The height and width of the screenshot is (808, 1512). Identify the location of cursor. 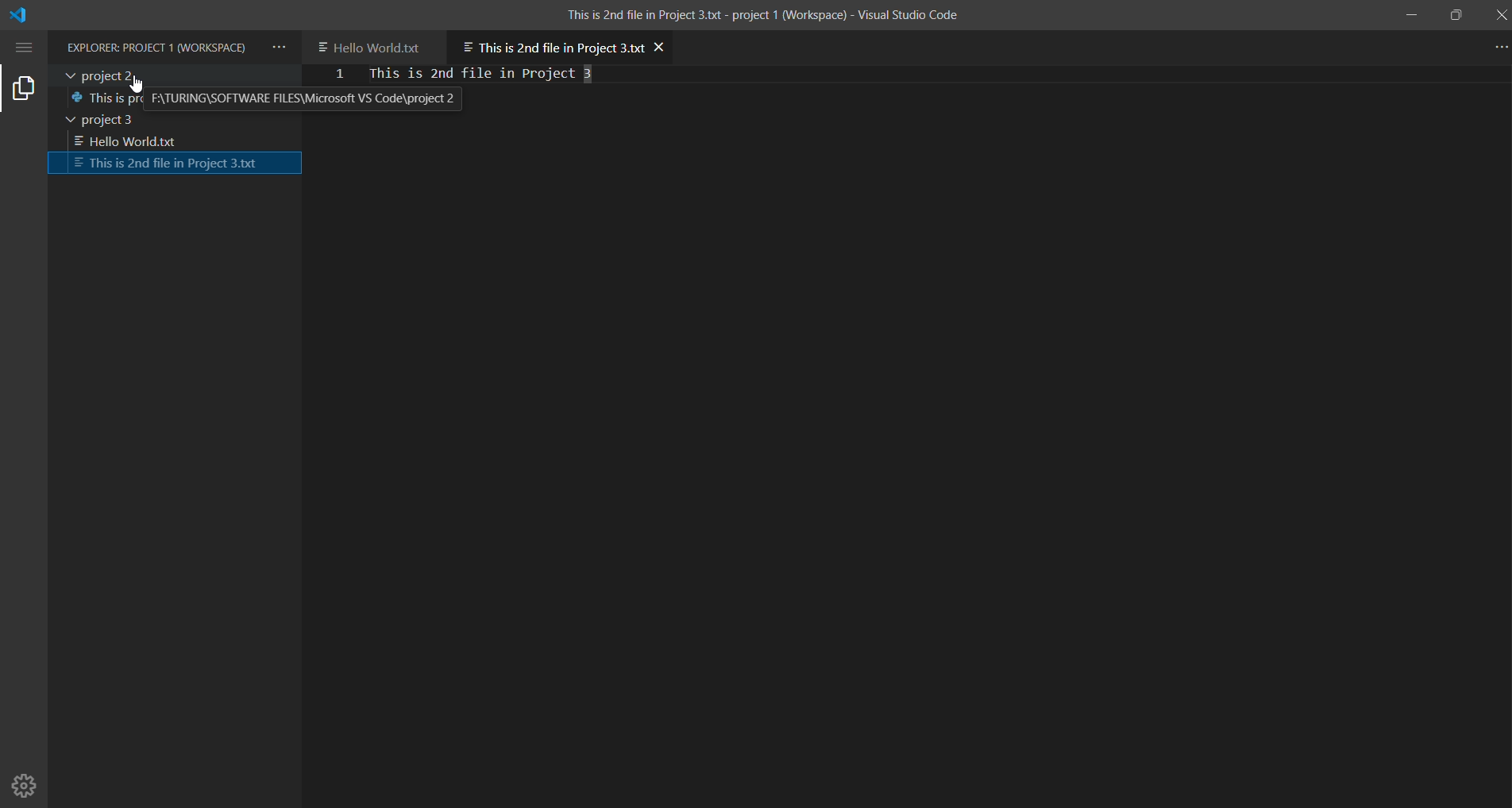
(139, 86).